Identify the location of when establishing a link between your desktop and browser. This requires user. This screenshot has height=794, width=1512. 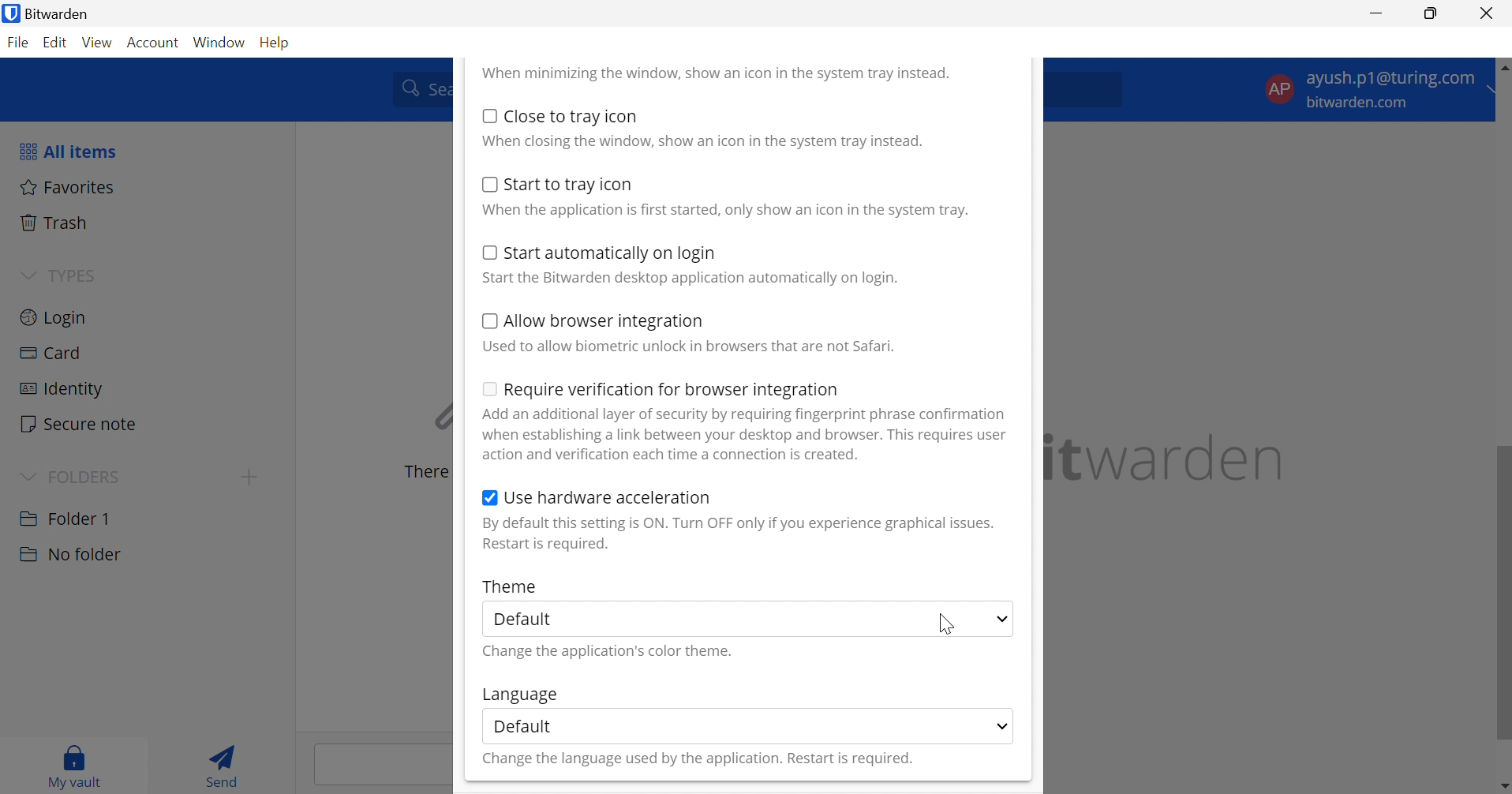
(746, 435).